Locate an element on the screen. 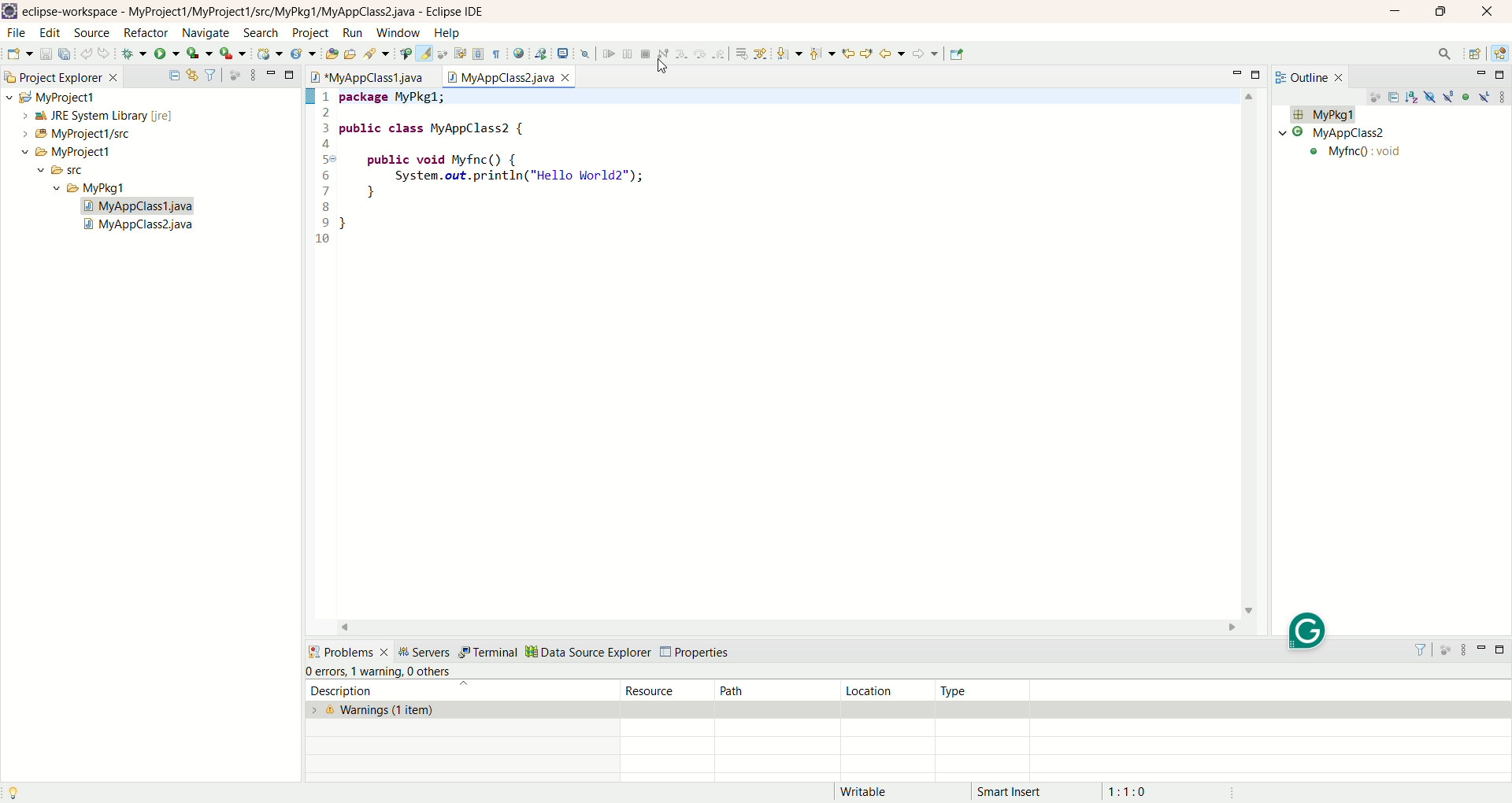  my project1 is located at coordinates (49, 97).